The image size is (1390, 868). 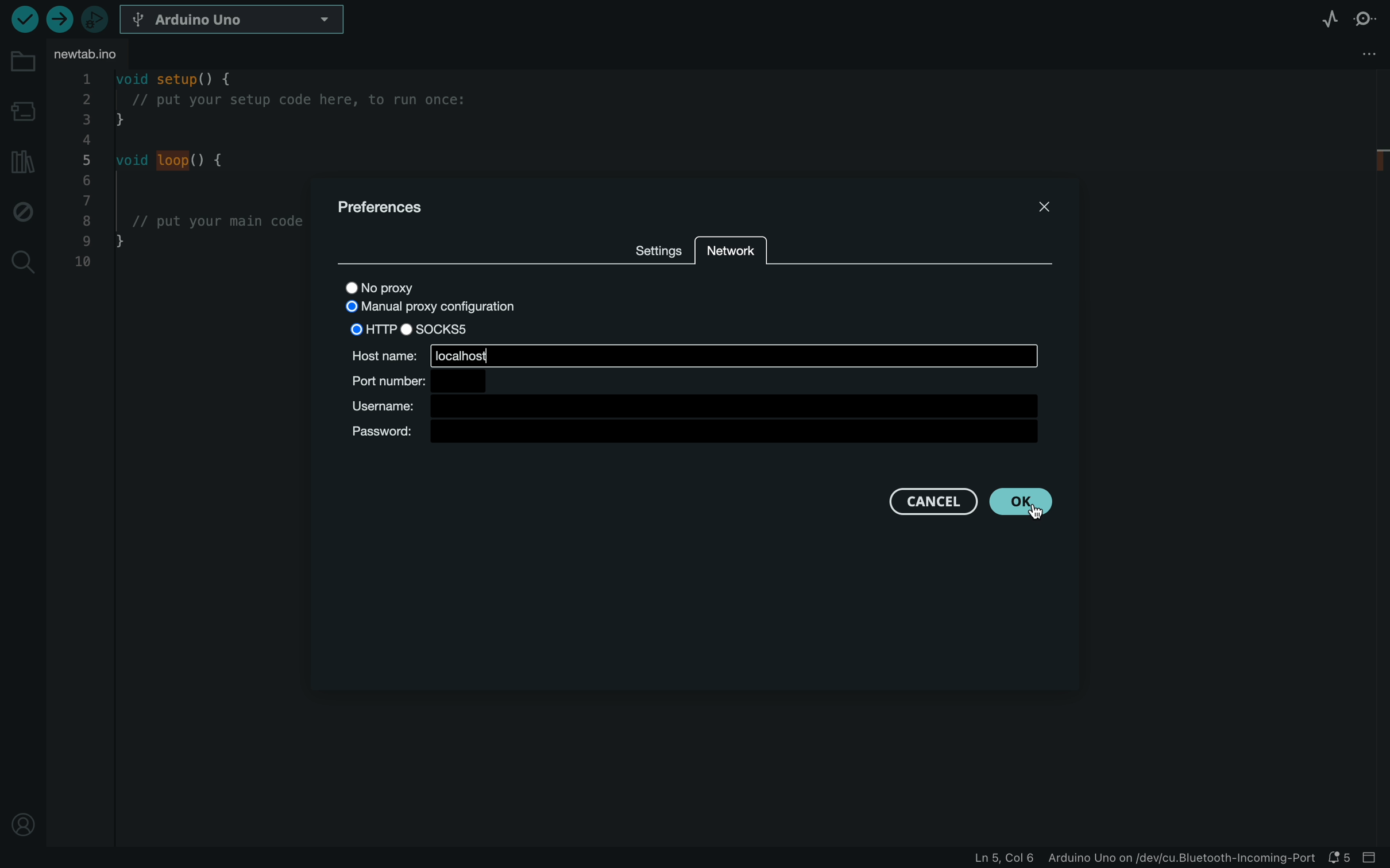 What do you see at coordinates (1042, 505) in the screenshot?
I see `cursor` at bounding box center [1042, 505].